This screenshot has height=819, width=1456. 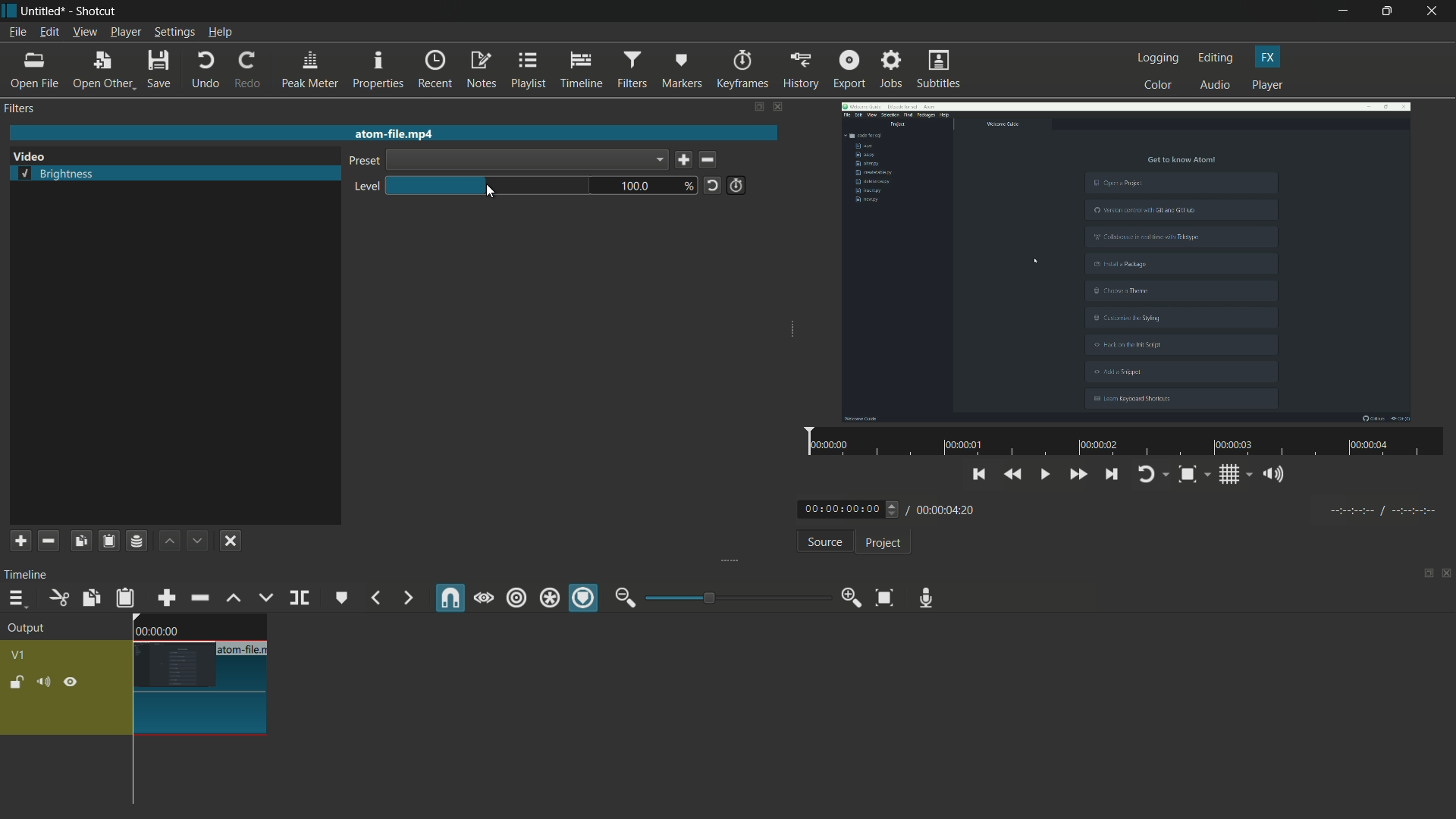 I want to click on snap, so click(x=451, y=598).